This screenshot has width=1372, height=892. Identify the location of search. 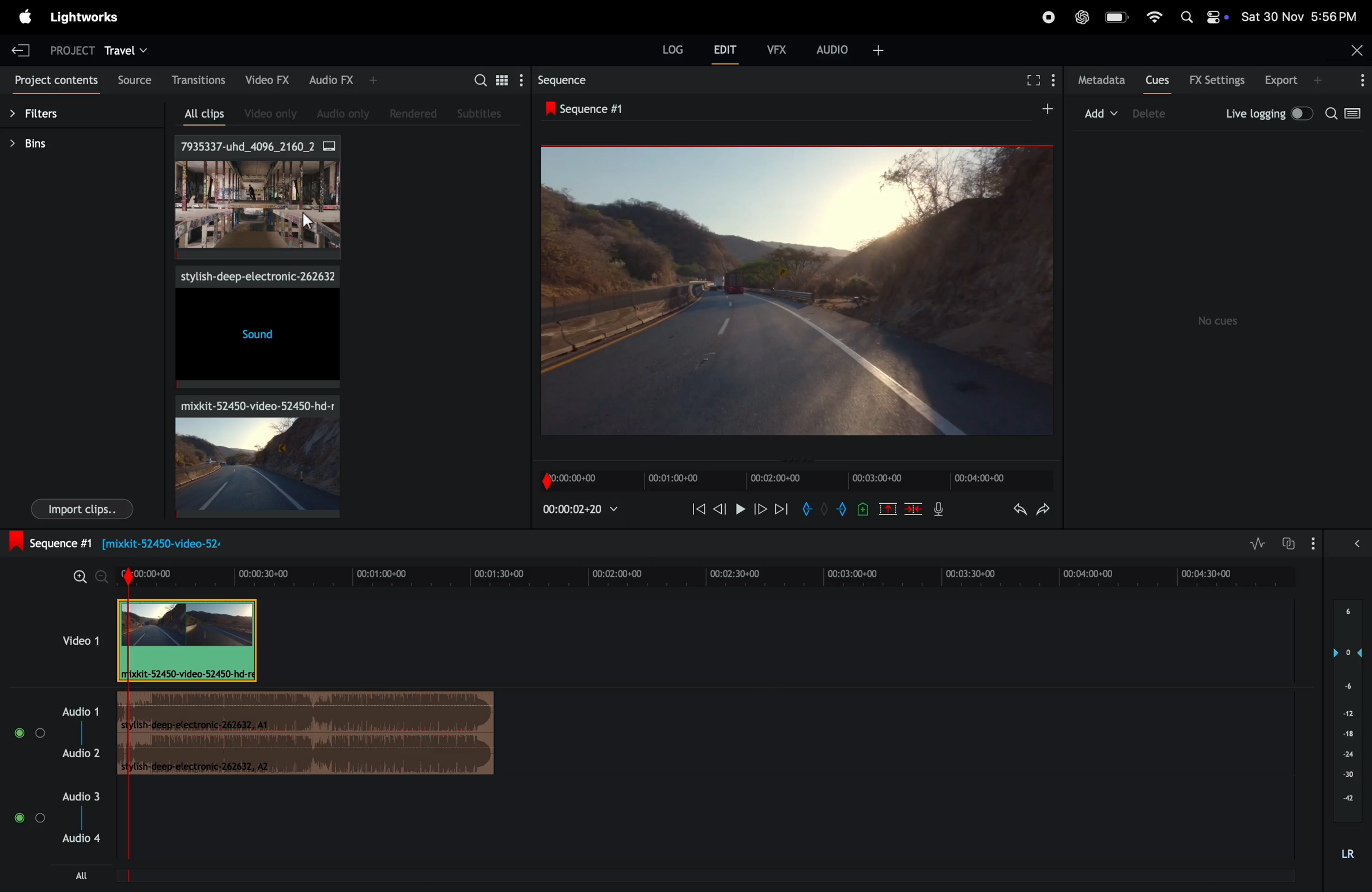
(488, 79).